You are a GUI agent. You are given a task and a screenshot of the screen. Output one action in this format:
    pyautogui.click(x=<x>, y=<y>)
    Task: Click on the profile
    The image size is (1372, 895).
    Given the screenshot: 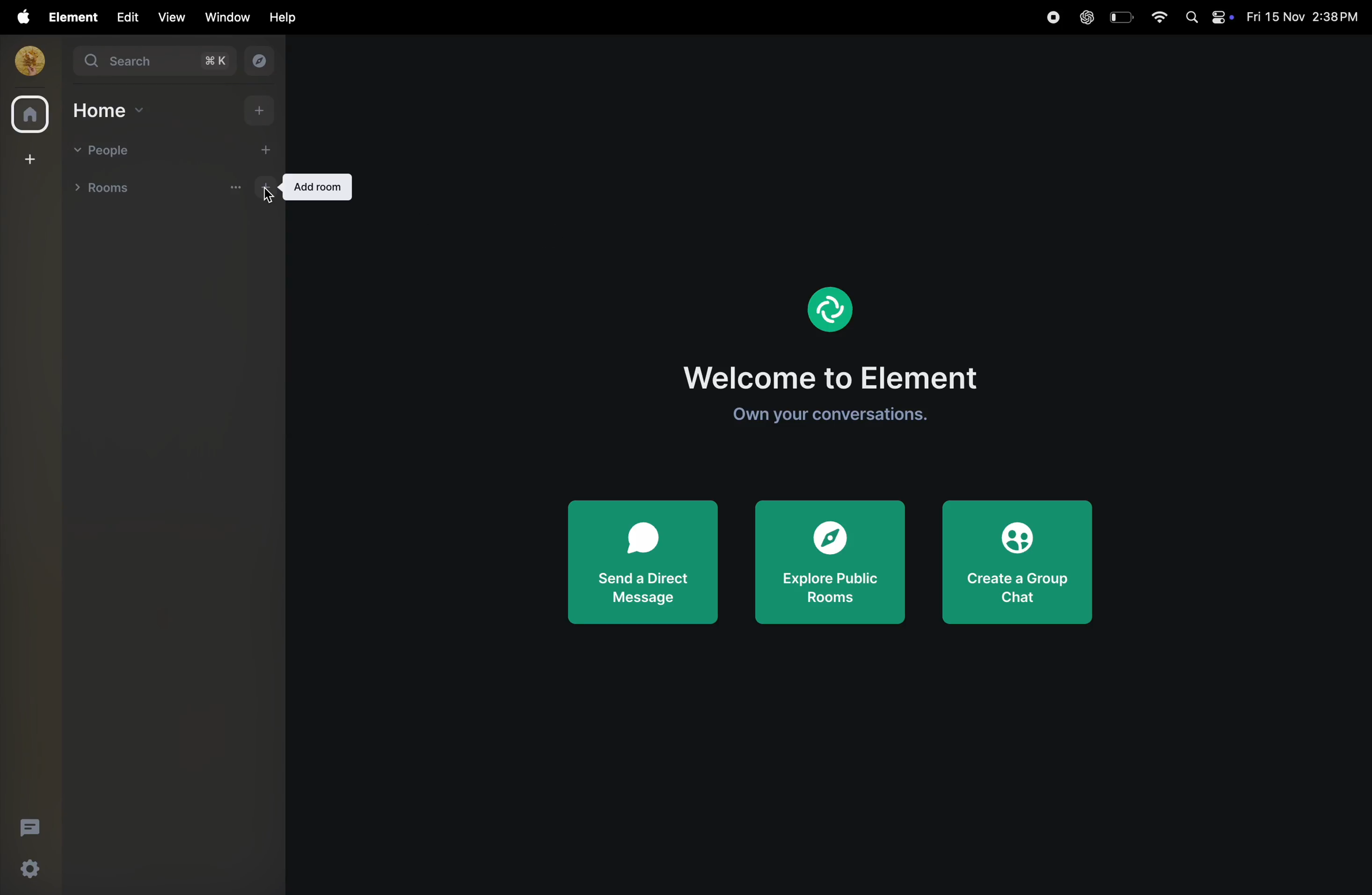 What is the action you would take?
    pyautogui.click(x=26, y=60)
    